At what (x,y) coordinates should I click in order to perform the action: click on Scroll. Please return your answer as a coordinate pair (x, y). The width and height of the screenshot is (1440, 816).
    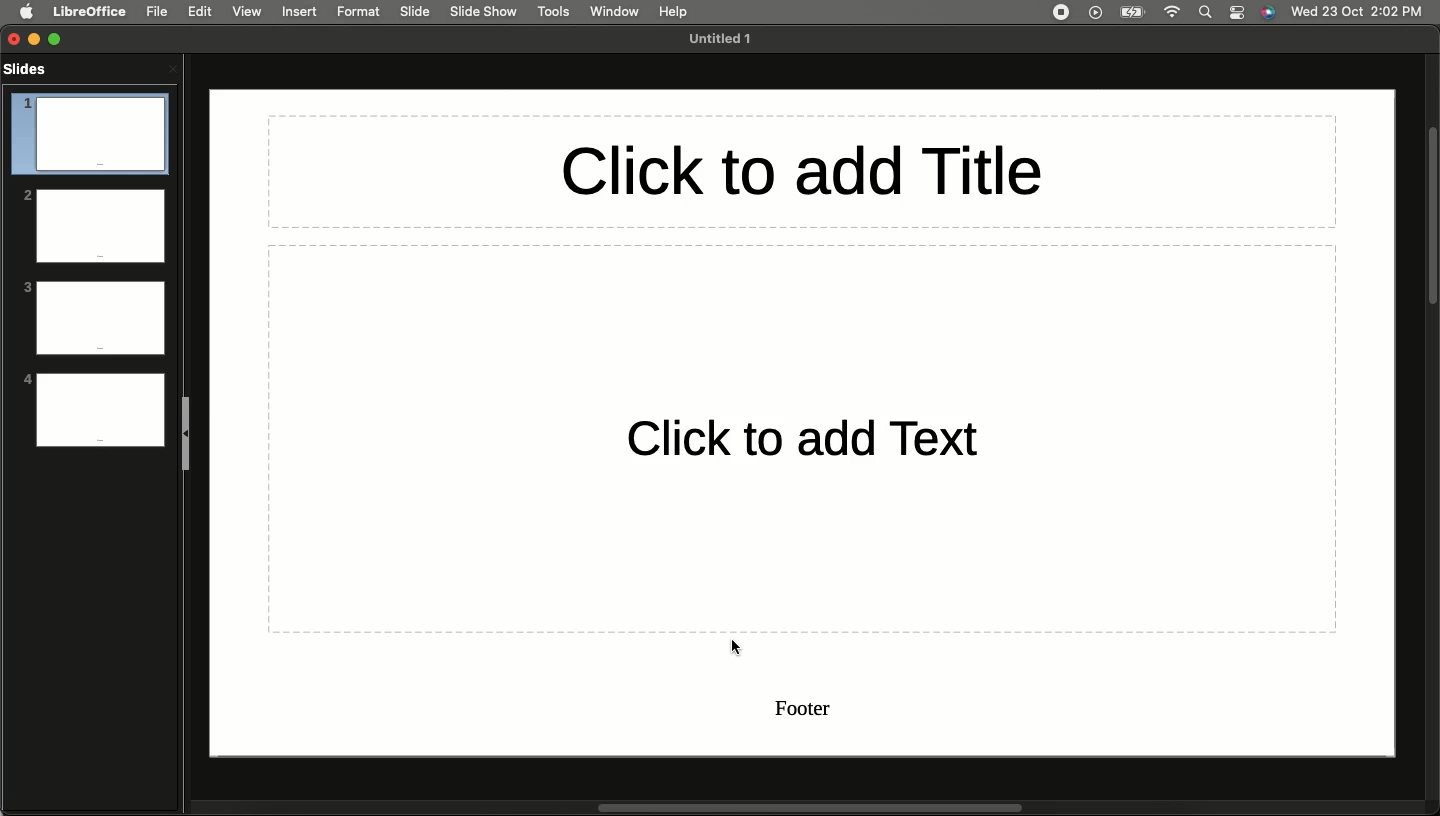
    Looking at the image, I should click on (805, 808).